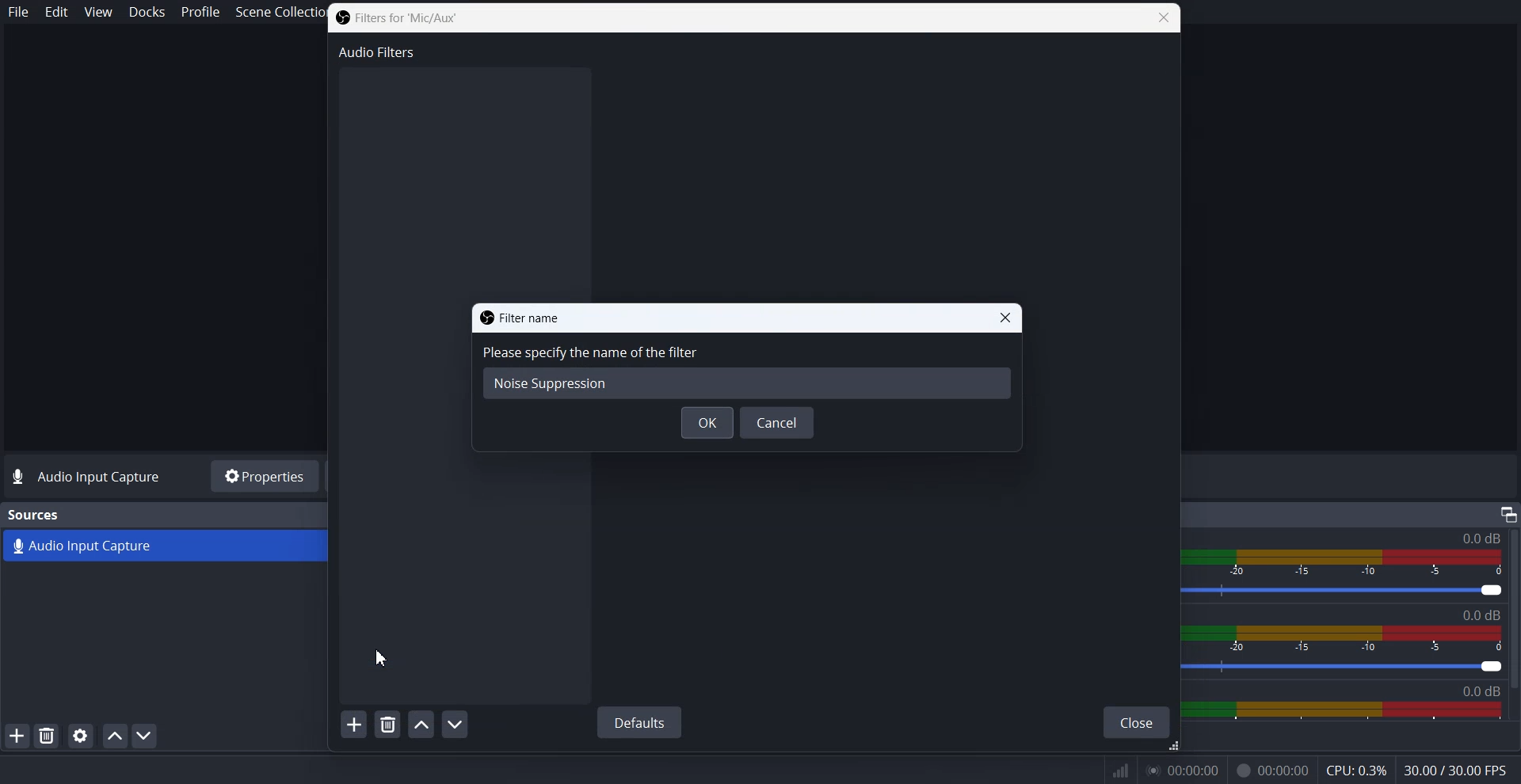  Describe the element at coordinates (1355, 640) in the screenshot. I see `Volume Indicator` at that location.